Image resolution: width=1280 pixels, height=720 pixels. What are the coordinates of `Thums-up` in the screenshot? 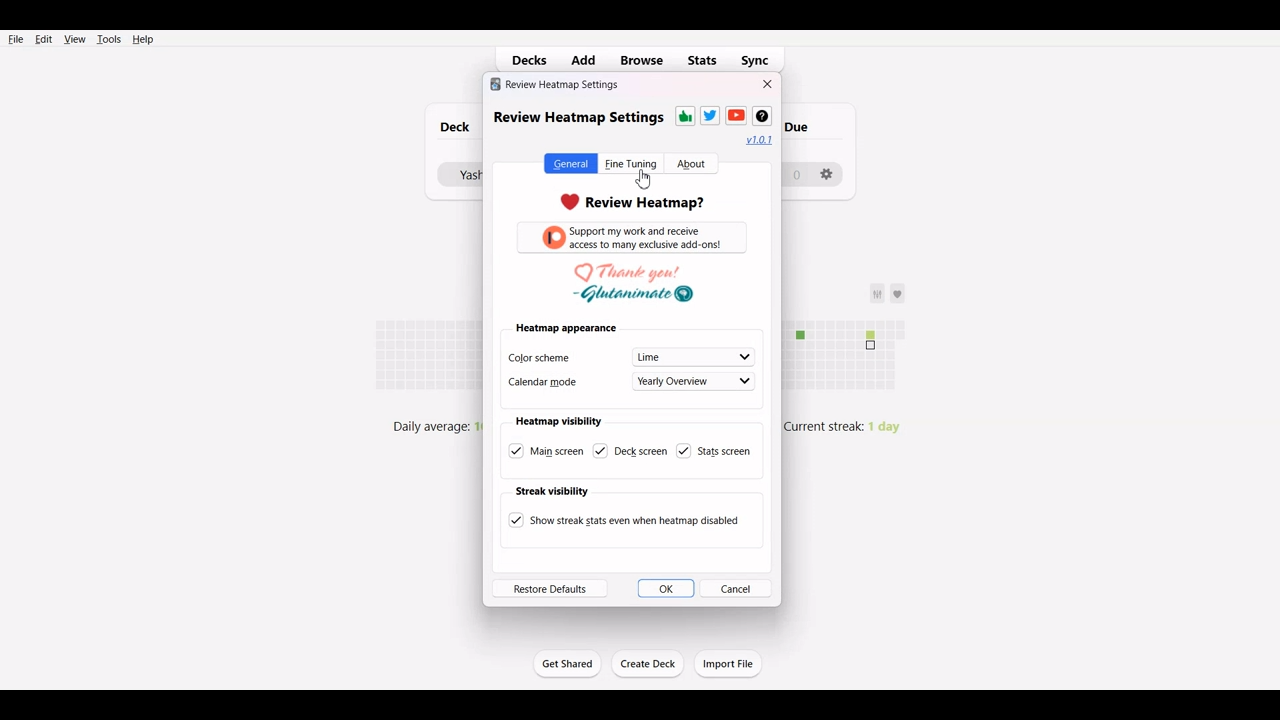 It's located at (684, 116).